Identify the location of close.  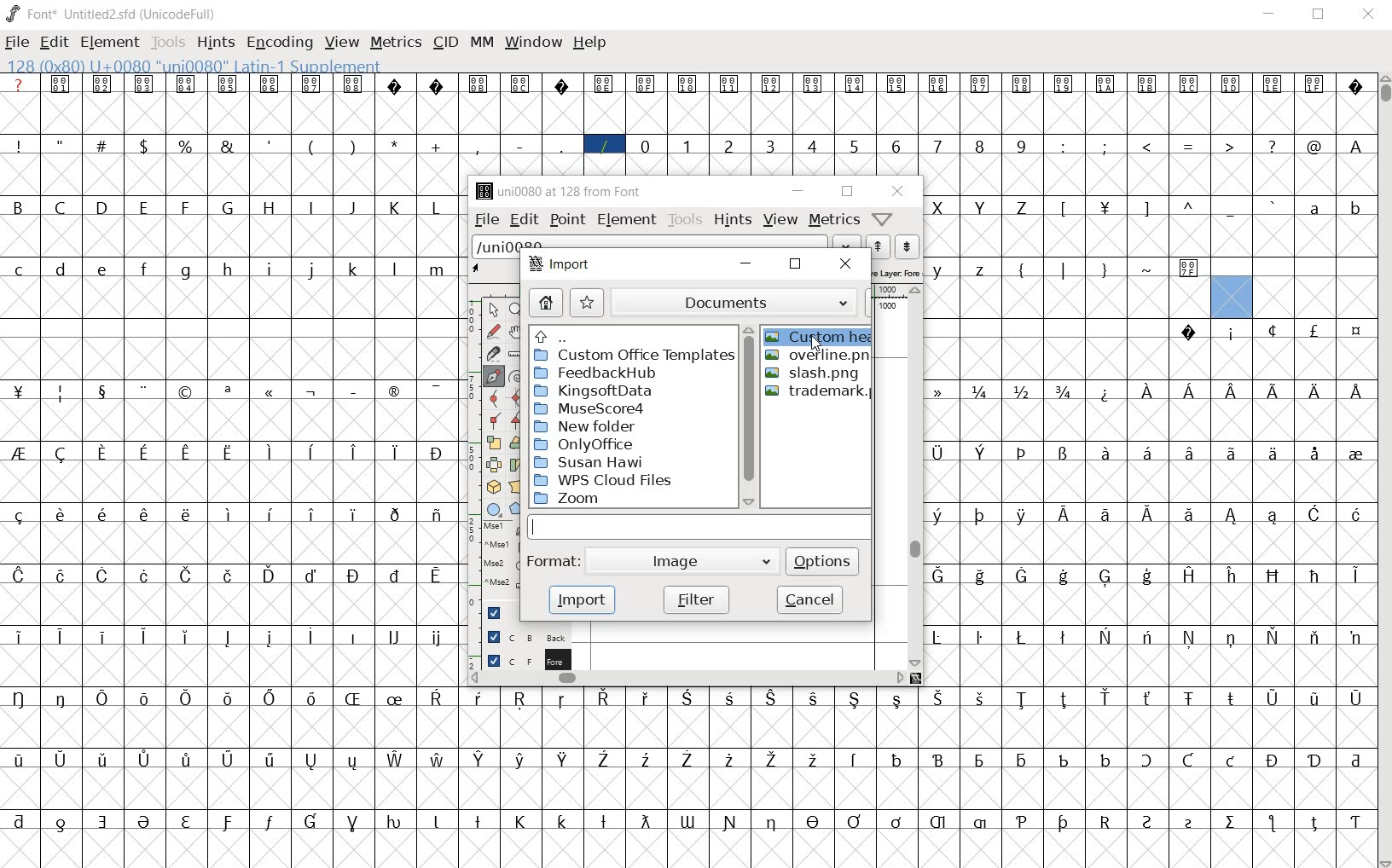
(848, 264).